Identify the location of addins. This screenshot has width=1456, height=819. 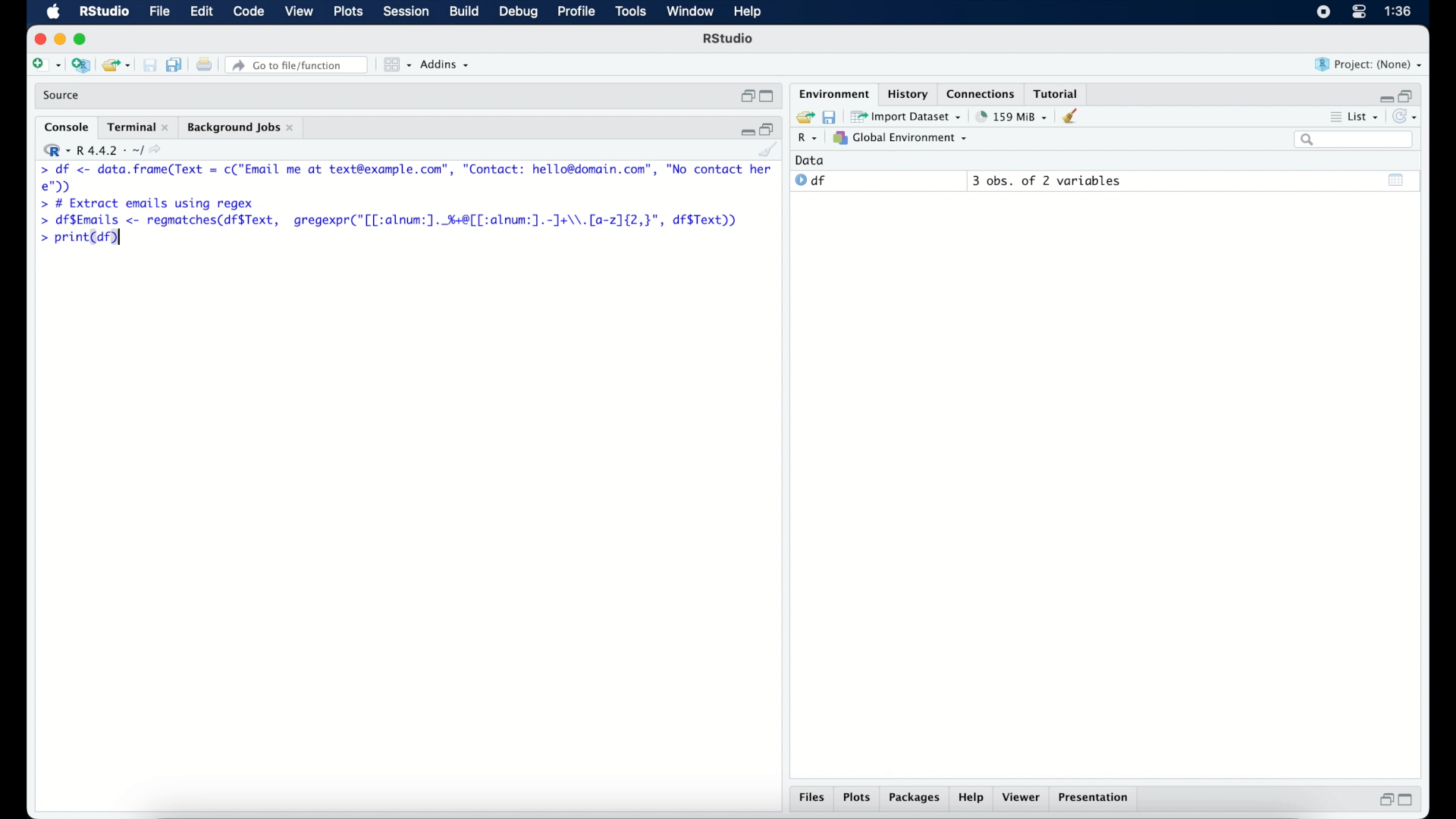
(446, 65).